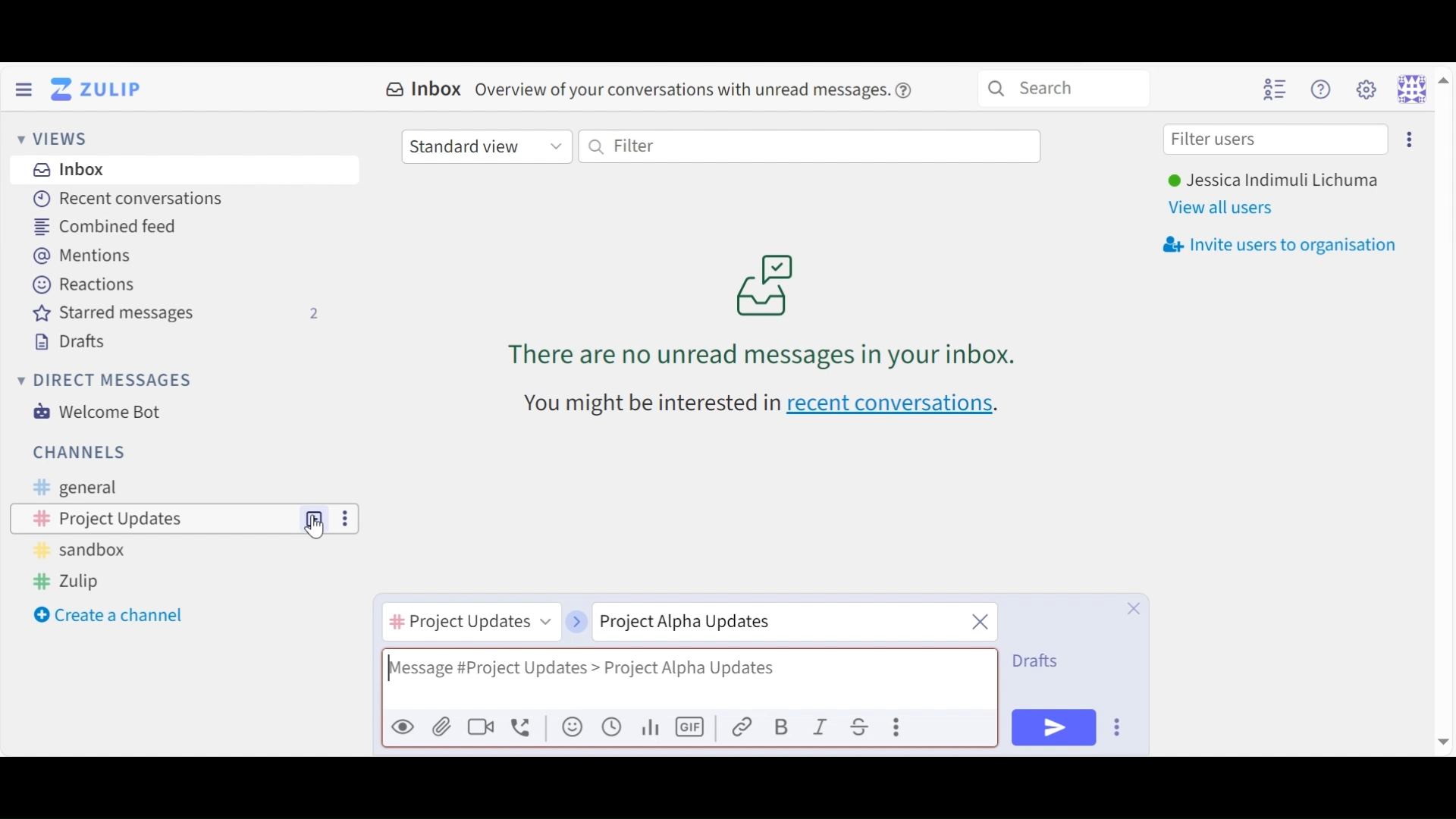  Describe the element at coordinates (108, 381) in the screenshot. I see `Direct Messages` at that location.